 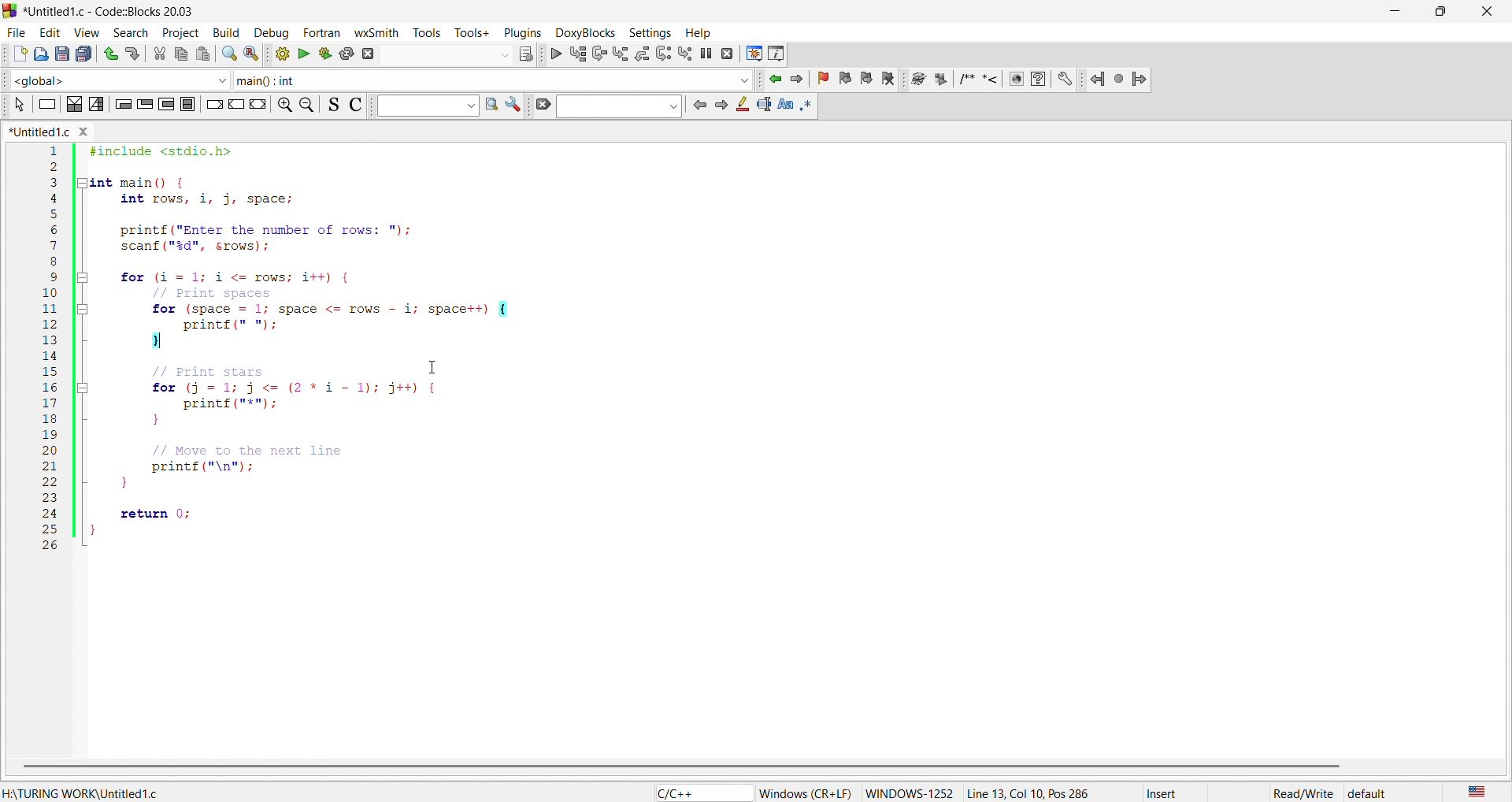 I want to click on web, so click(x=1017, y=80).